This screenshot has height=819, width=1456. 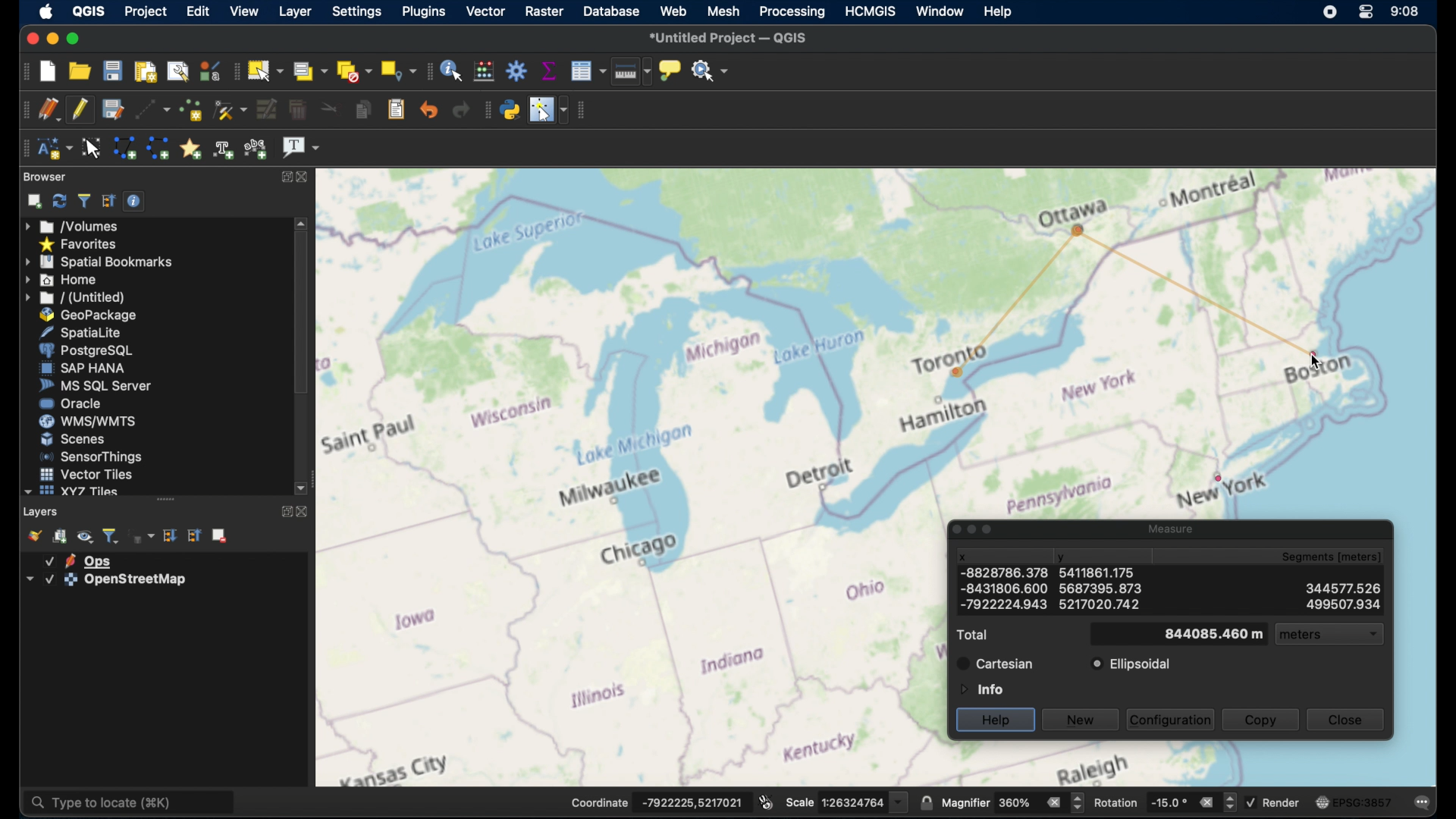 I want to click on layer, so click(x=293, y=11).